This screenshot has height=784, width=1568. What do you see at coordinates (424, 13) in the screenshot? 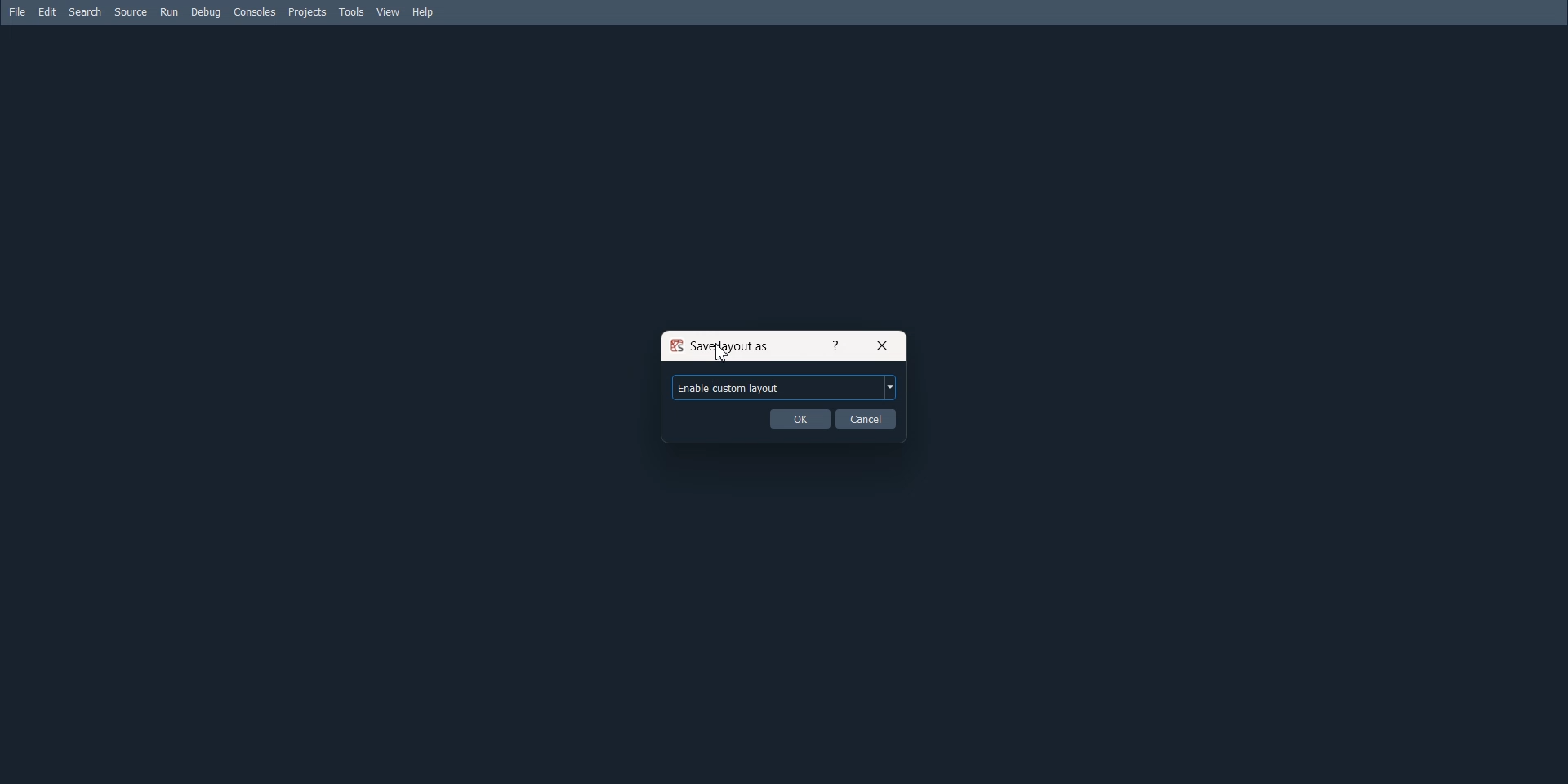
I see `Help` at bounding box center [424, 13].